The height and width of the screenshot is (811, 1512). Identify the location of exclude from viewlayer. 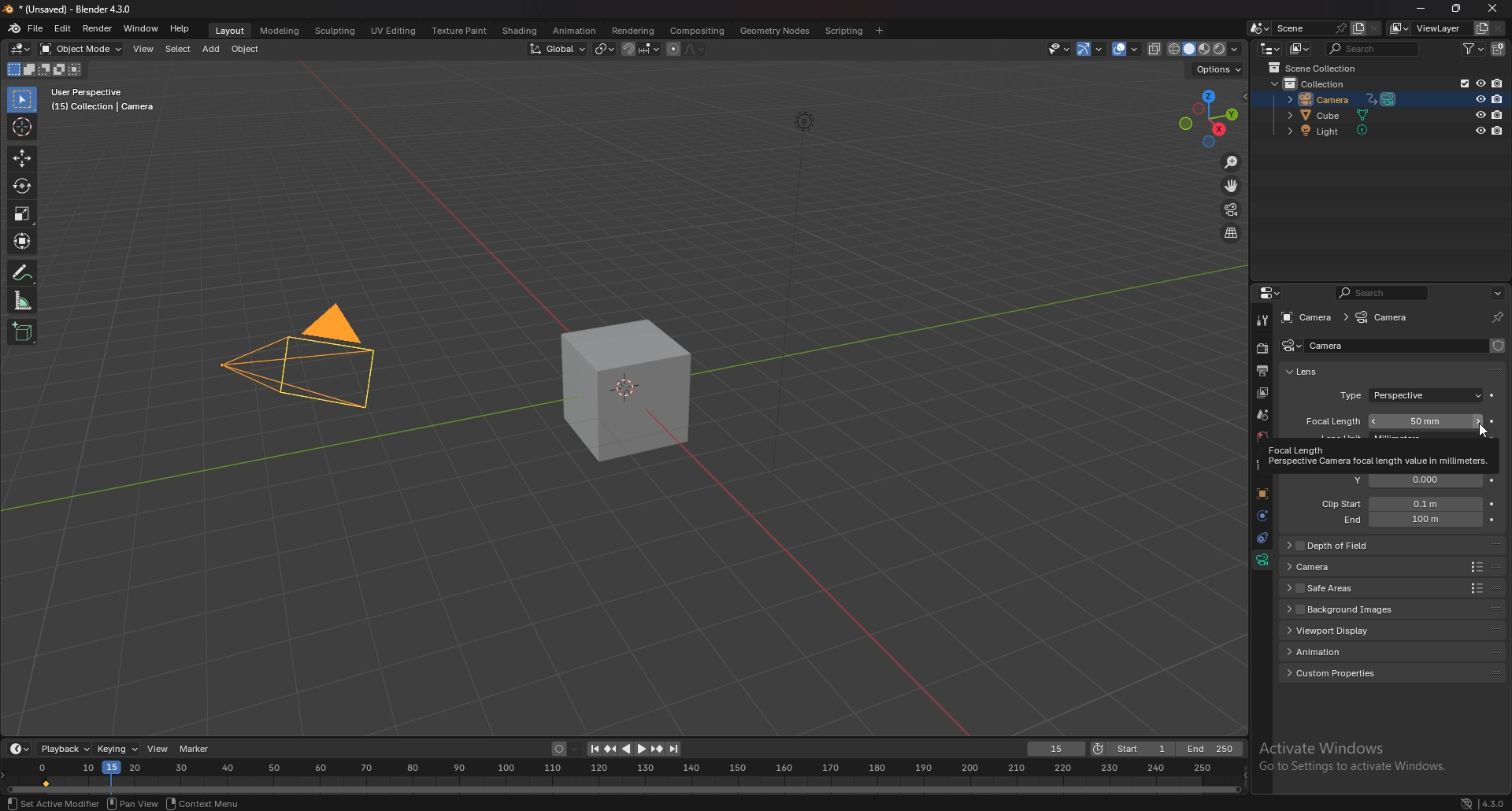
(1458, 83).